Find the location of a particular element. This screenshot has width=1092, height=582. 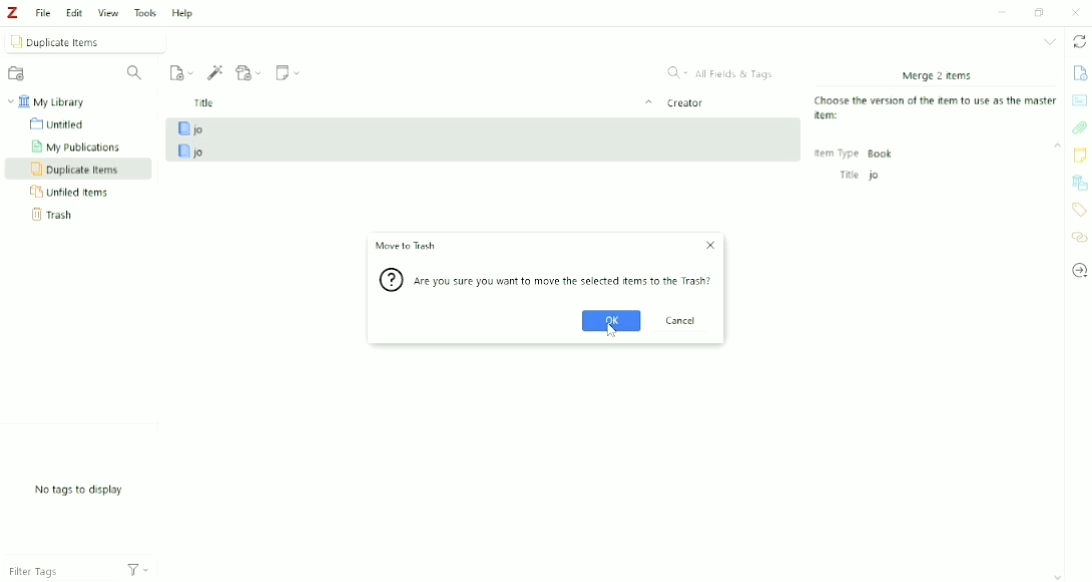

Collapse section is located at coordinates (1057, 146).